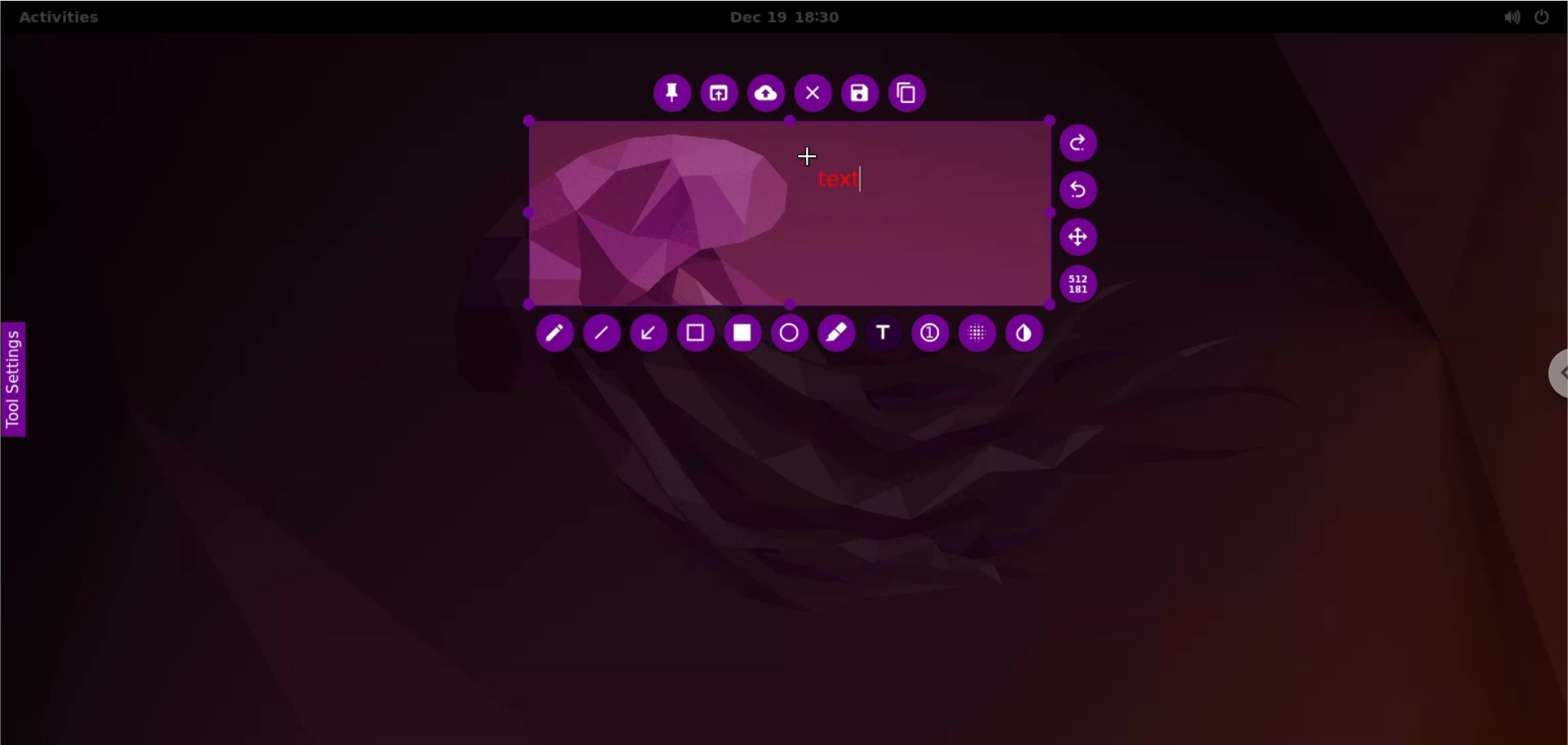 The width and height of the screenshot is (1568, 745). What do you see at coordinates (1085, 190) in the screenshot?
I see `undo` at bounding box center [1085, 190].